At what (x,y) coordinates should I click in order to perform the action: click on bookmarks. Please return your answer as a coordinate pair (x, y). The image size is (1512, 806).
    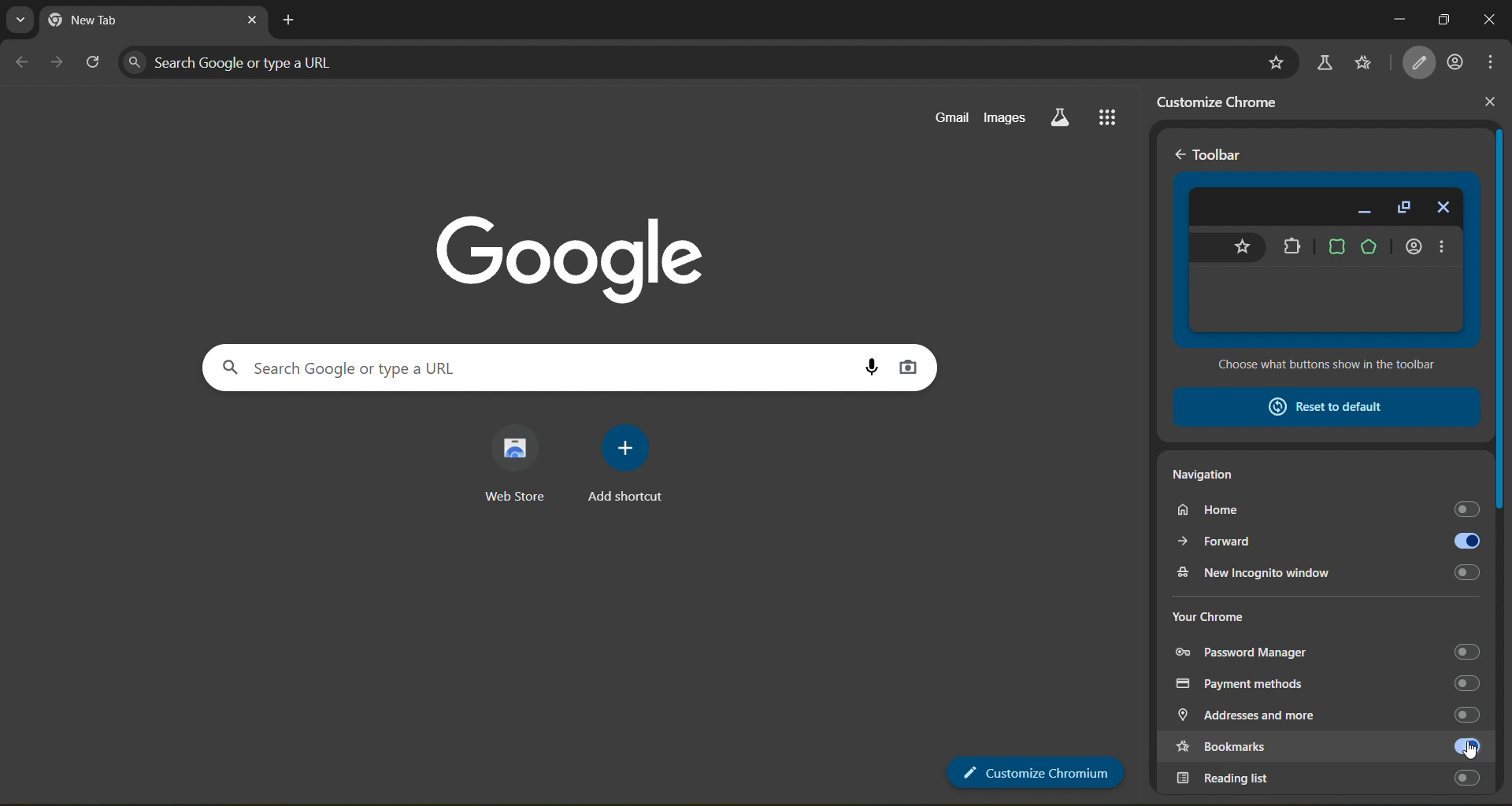
    Looking at the image, I should click on (1299, 748).